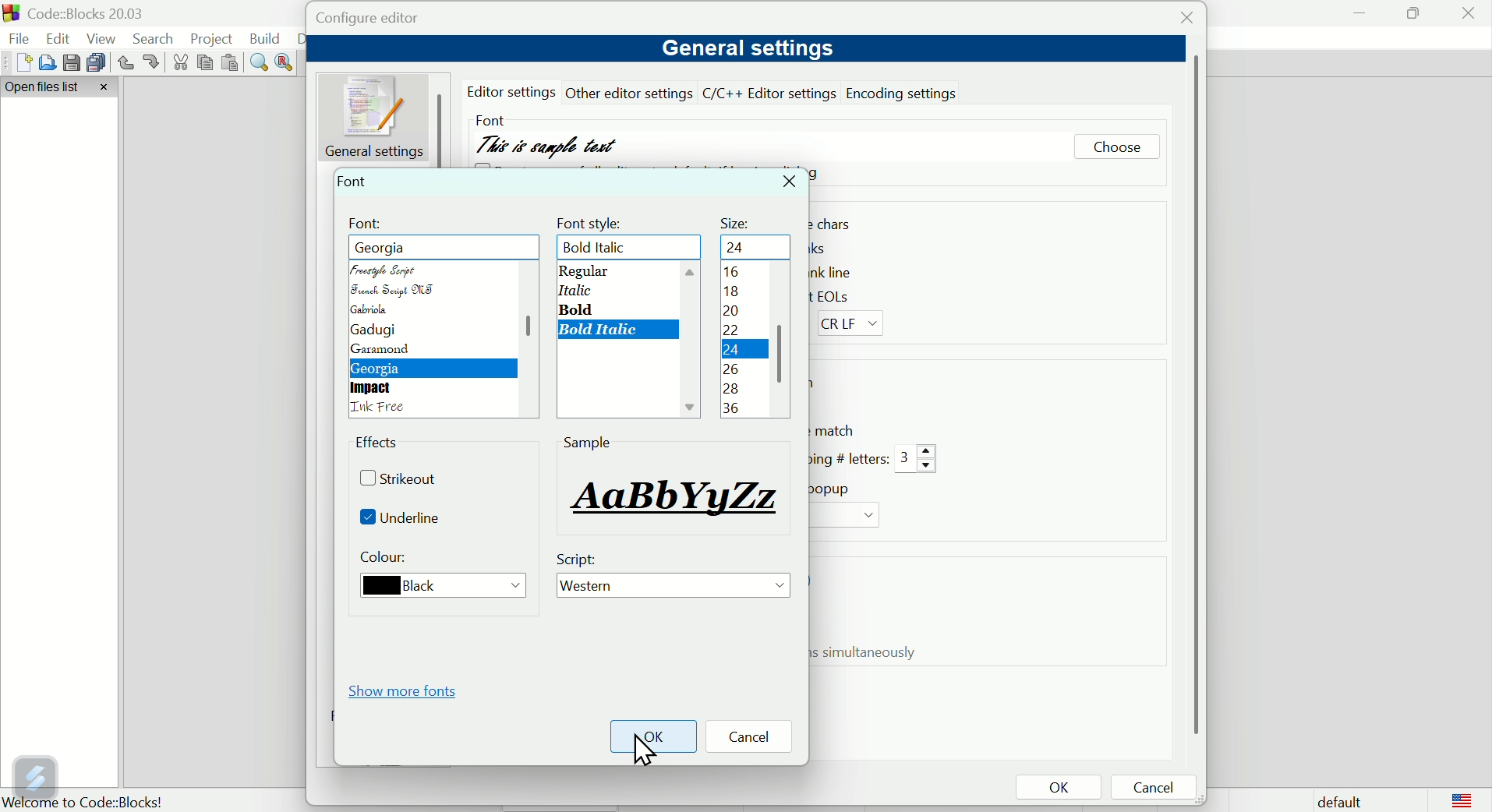  What do you see at coordinates (1469, 17) in the screenshot?
I see `Close` at bounding box center [1469, 17].